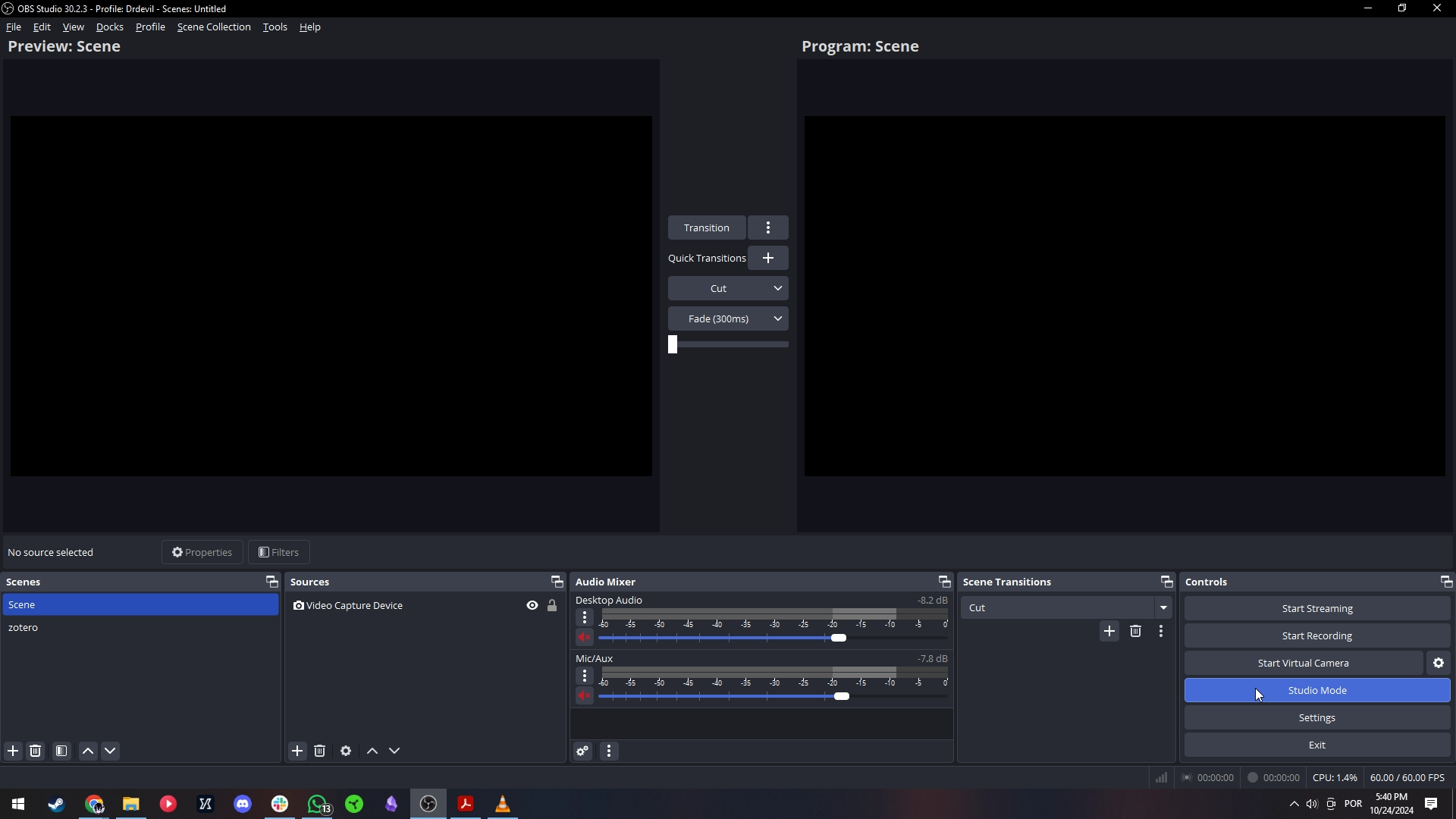  Describe the element at coordinates (242, 802) in the screenshot. I see `discord` at that location.